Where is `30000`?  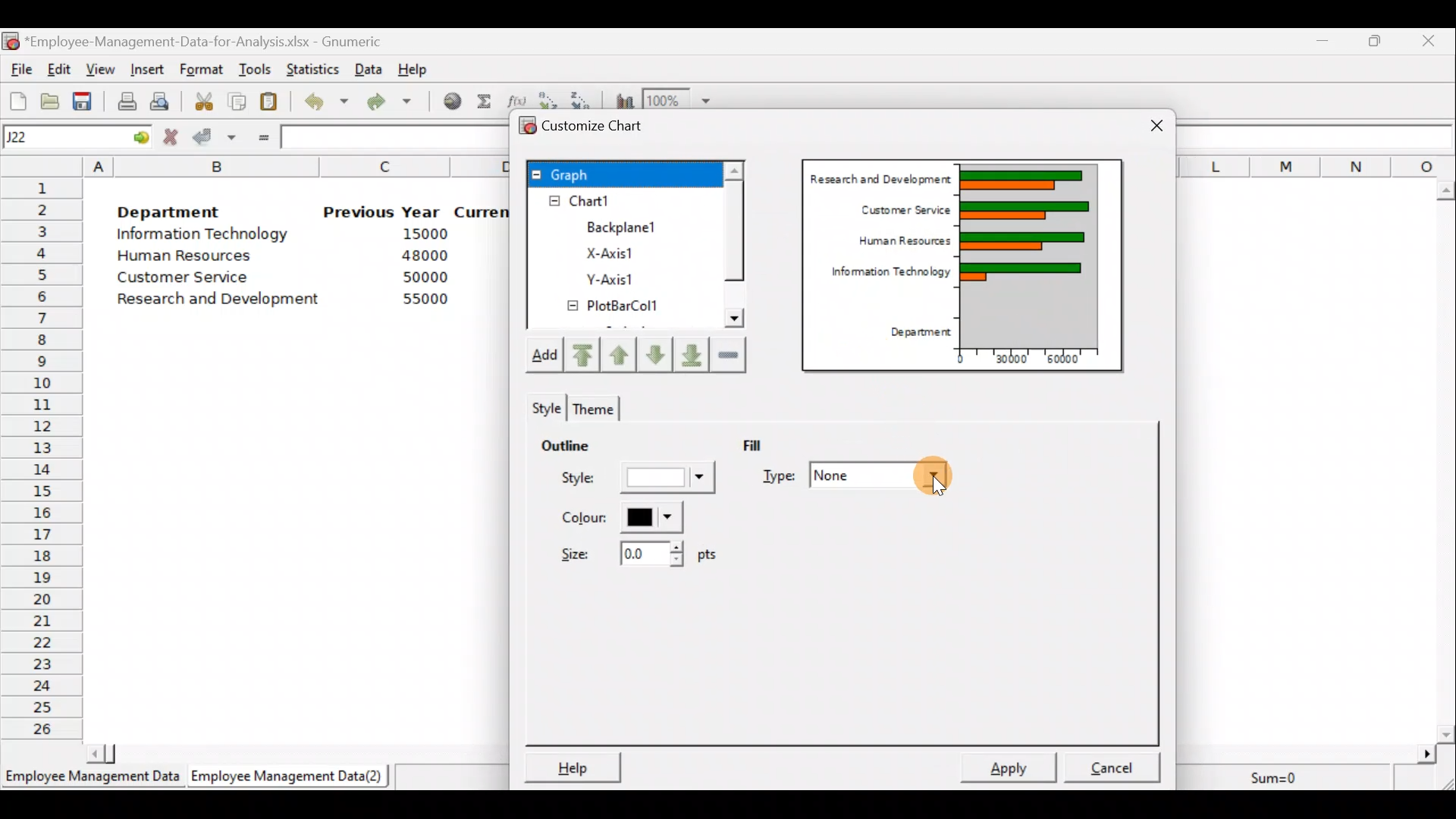 30000 is located at coordinates (1007, 361).